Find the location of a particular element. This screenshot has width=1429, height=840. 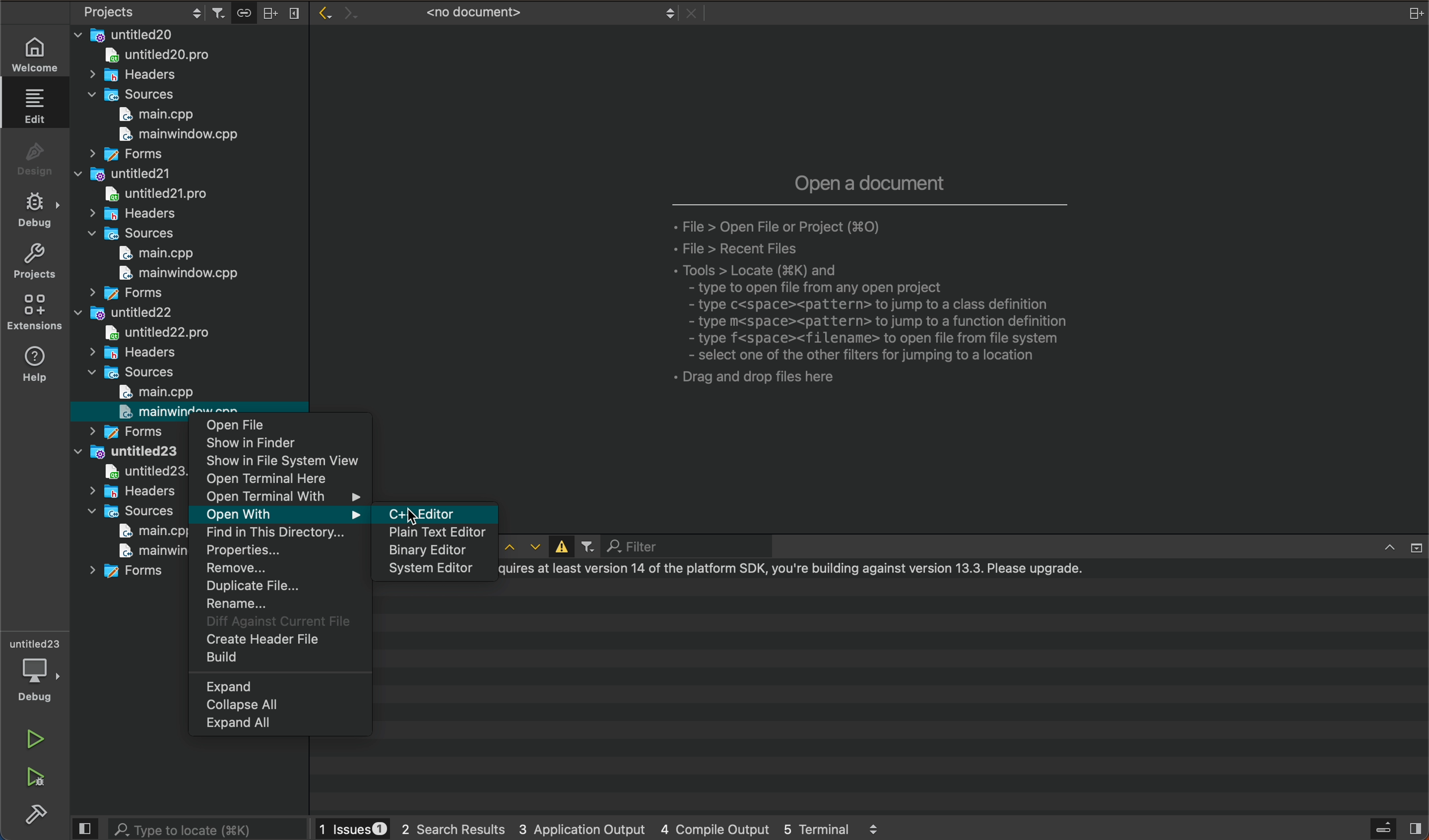

selected is located at coordinates (443, 511).